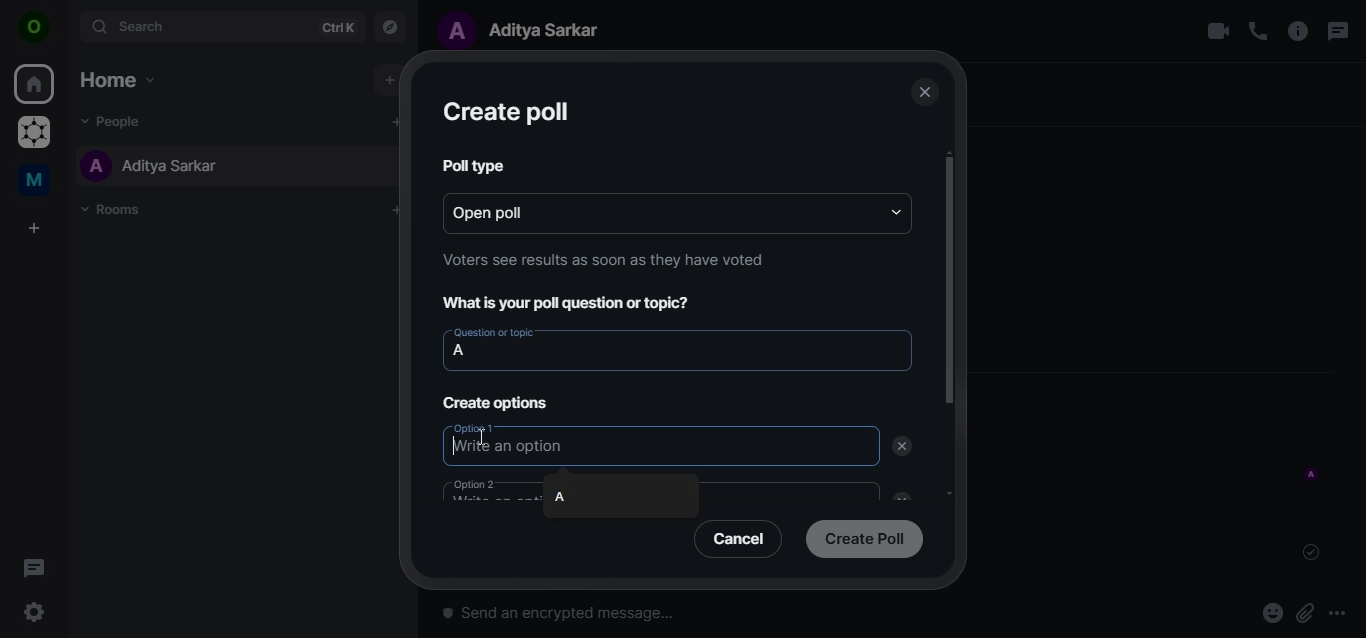 The width and height of the screenshot is (1366, 638). I want to click on graoheneos, so click(34, 134).